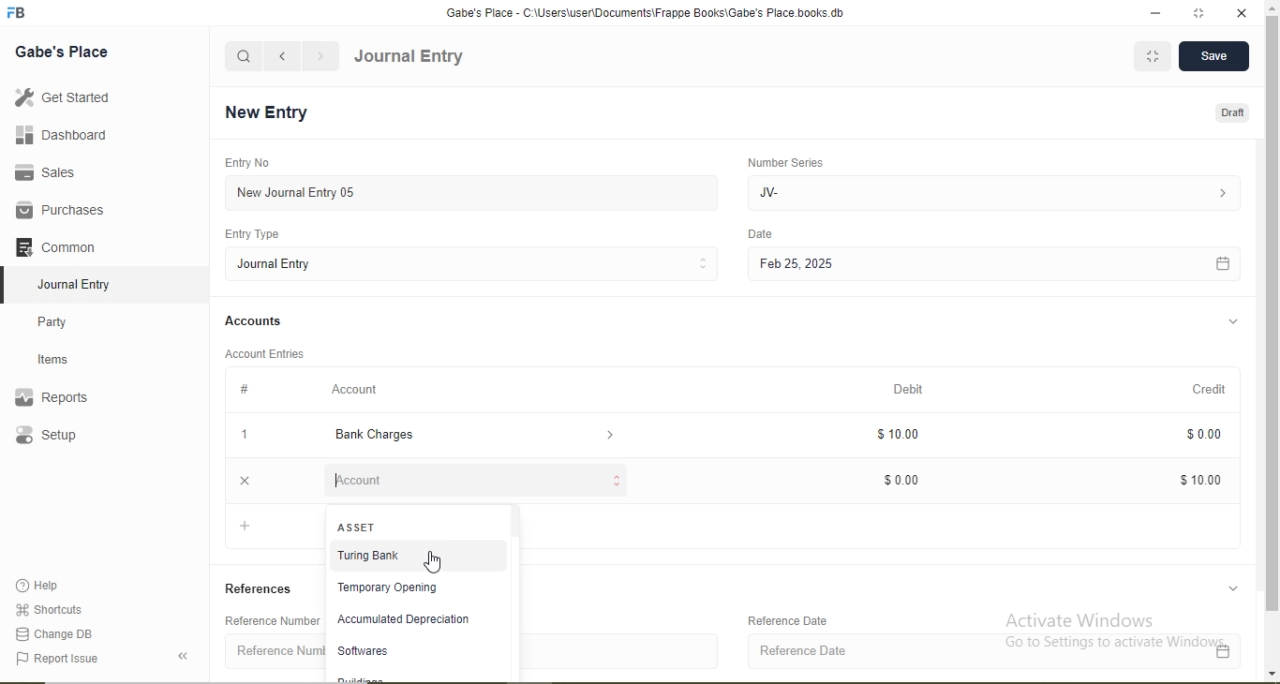 The height and width of the screenshot is (684, 1280). I want to click on 1, so click(242, 434).